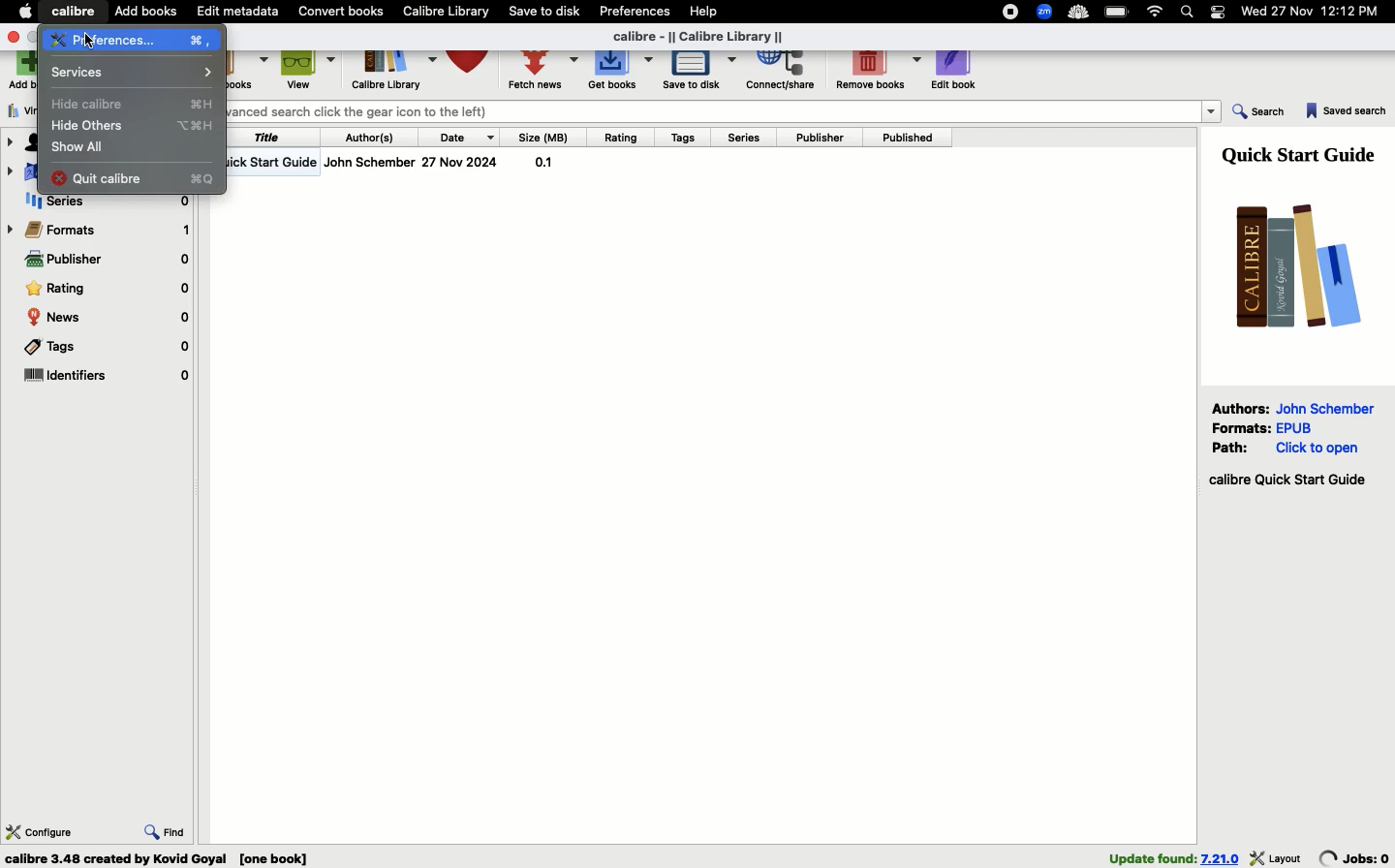 Image resolution: width=1395 pixels, height=868 pixels. Describe the element at coordinates (701, 72) in the screenshot. I see `Save to disk` at that location.